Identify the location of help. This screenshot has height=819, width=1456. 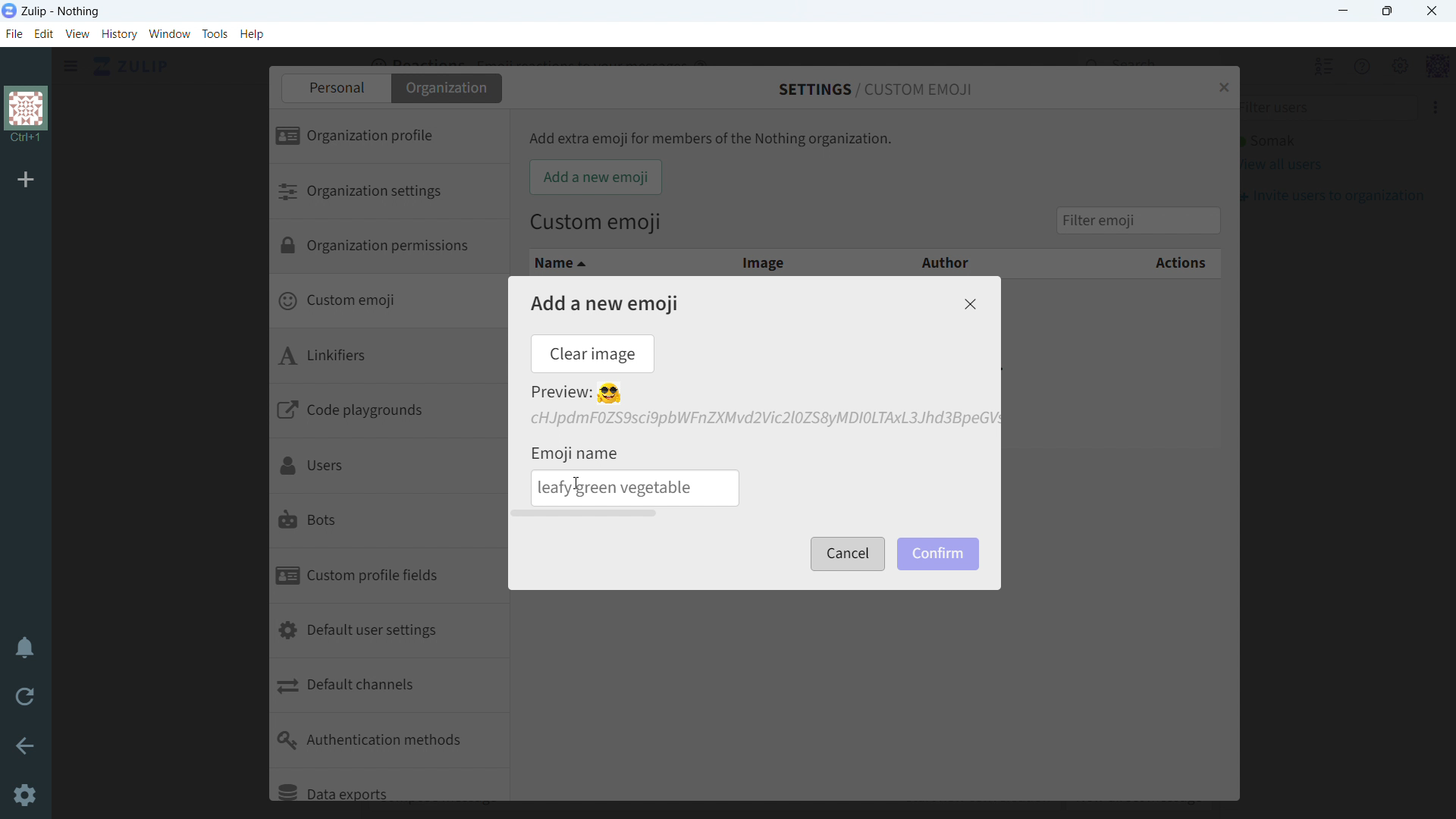
(252, 34).